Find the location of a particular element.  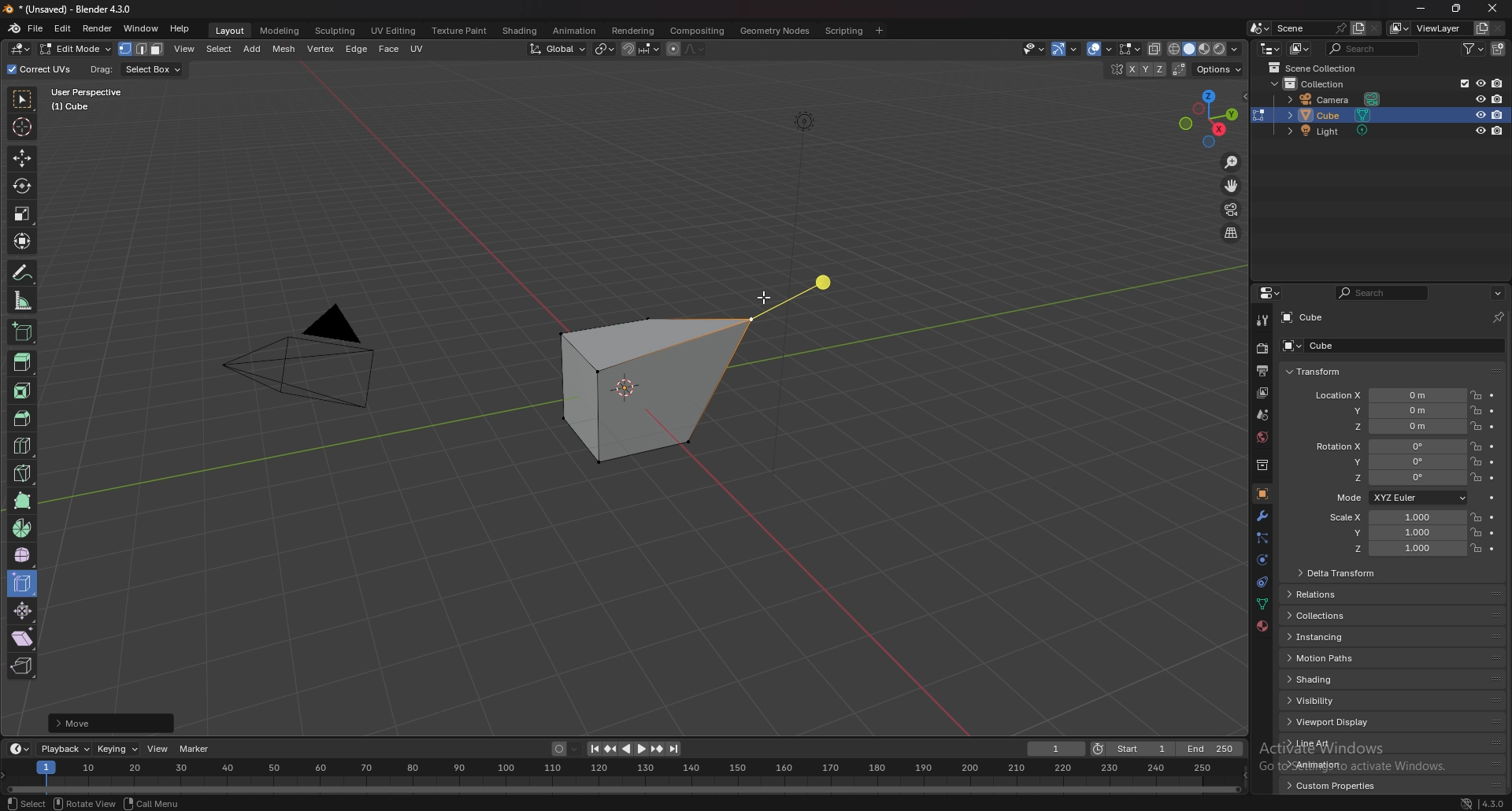

edge is located at coordinates (358, 50).